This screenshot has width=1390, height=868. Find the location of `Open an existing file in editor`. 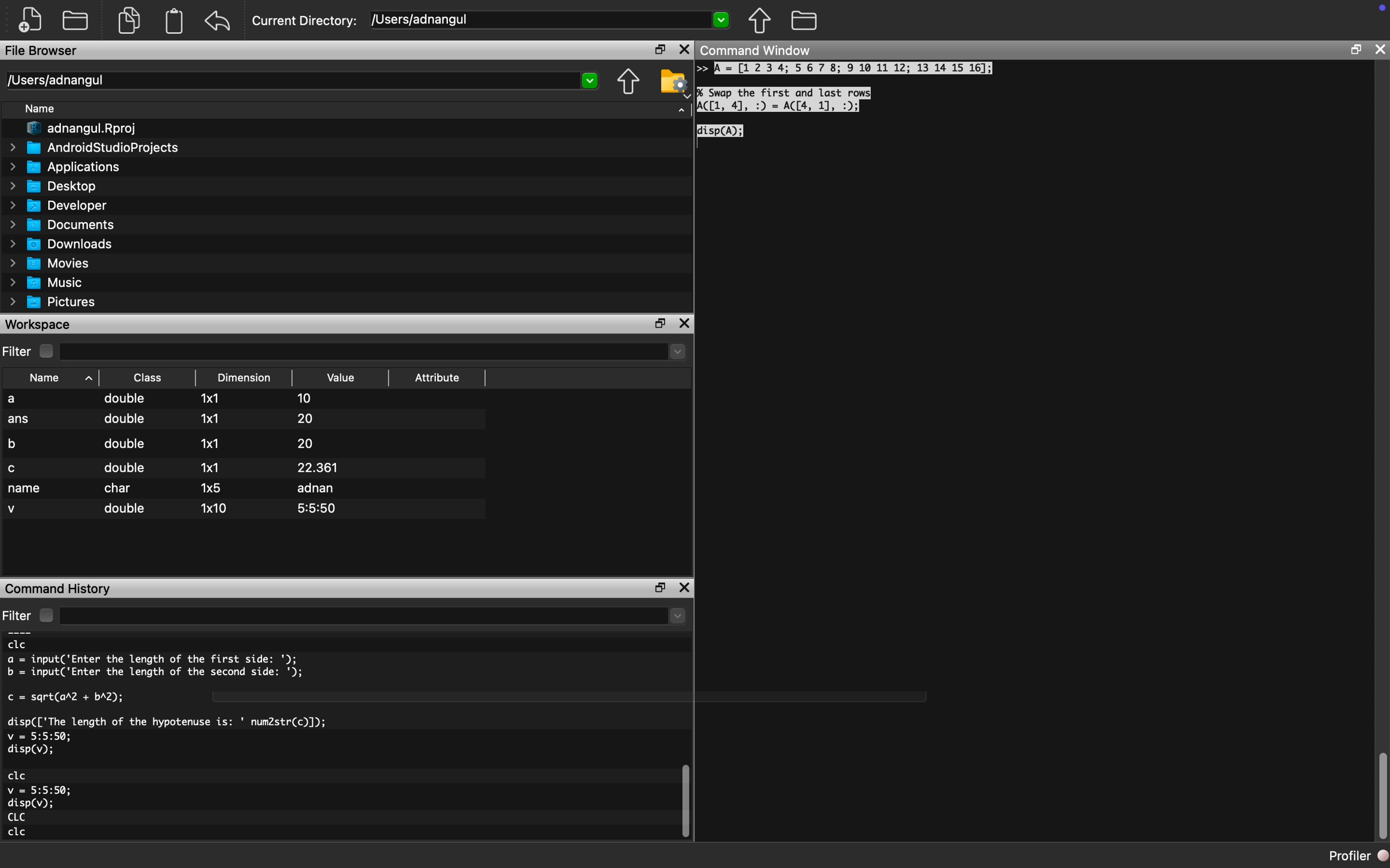

Open an existing file in editor is located at coordinates (78, 20).